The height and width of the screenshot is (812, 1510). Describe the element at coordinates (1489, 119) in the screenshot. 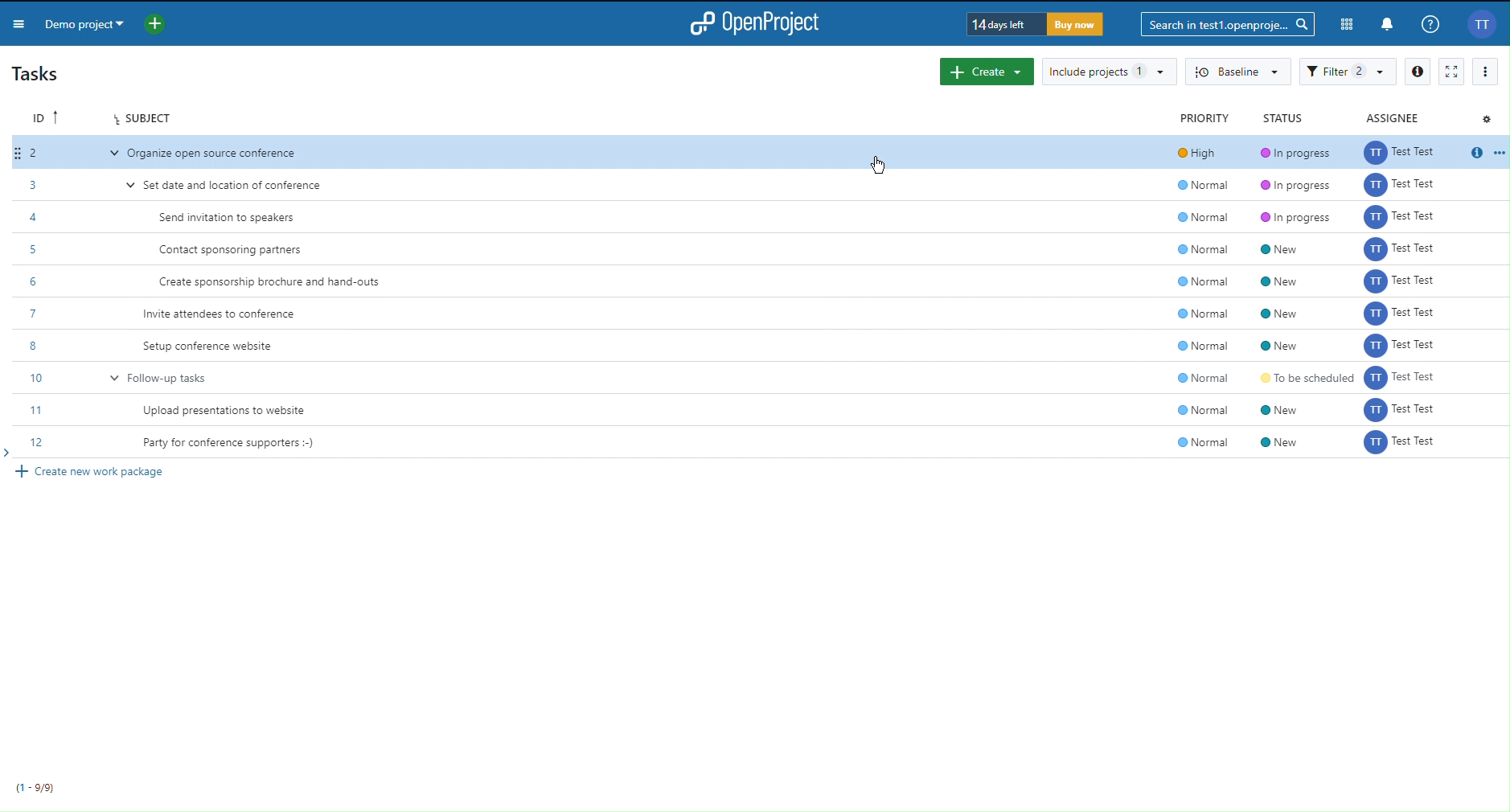

I see `Settings` at that location.